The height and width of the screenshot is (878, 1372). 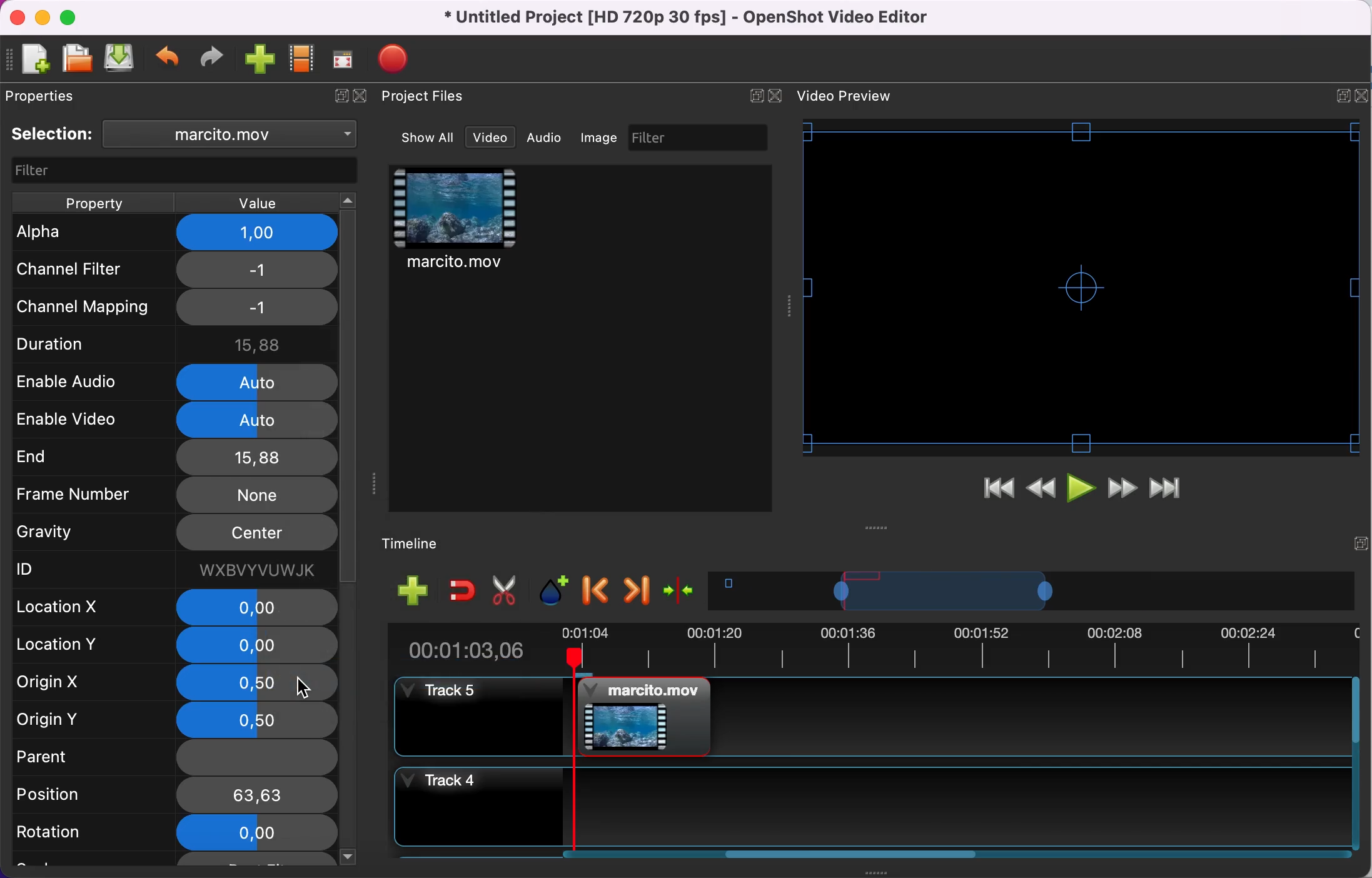 What do you see at coordinates (173, 307) in the screenshot?
I see `channel mapping -1` at bounding box center [173, 307].